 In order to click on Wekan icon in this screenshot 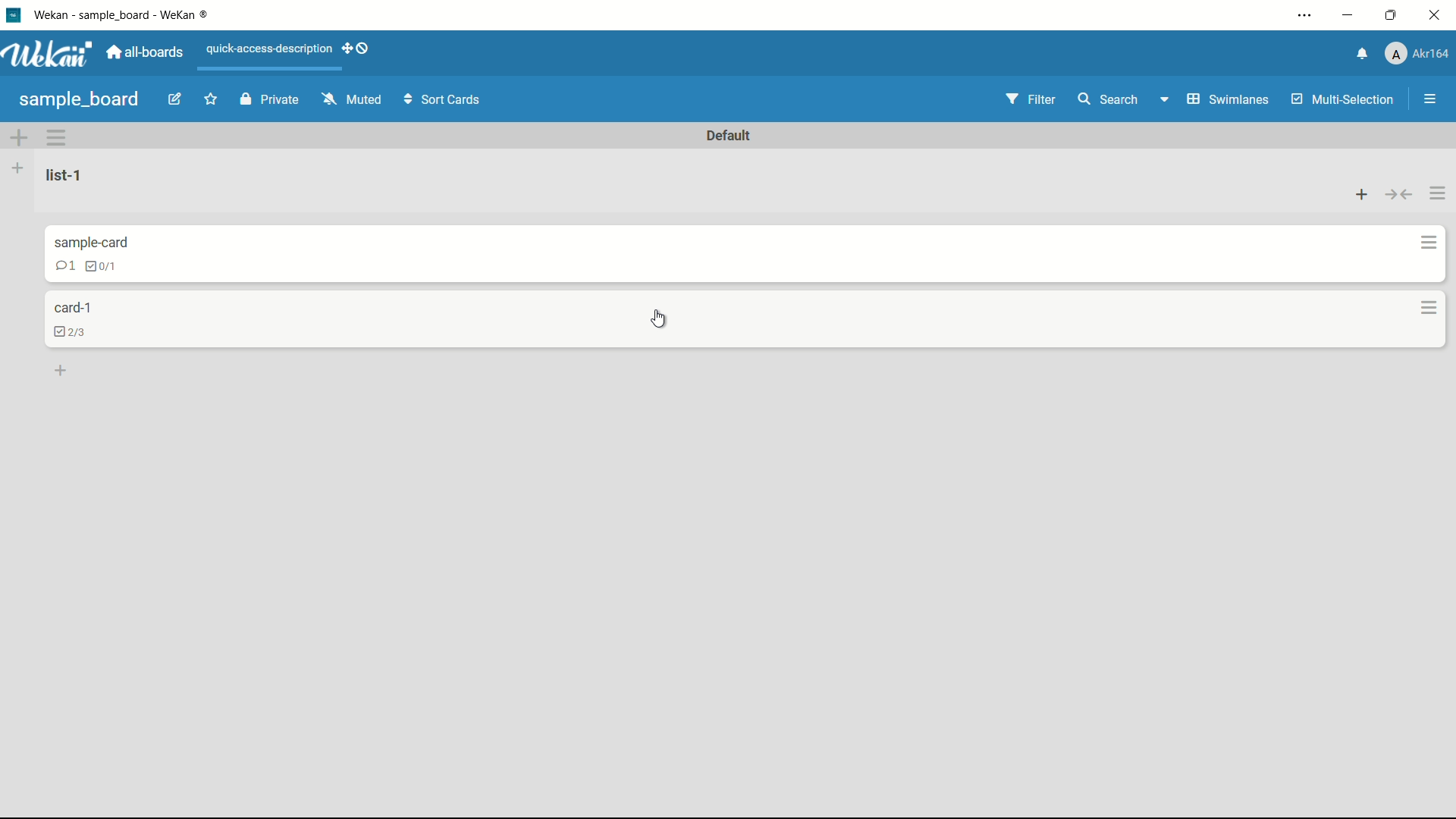, I will do `click(13, 15)`.